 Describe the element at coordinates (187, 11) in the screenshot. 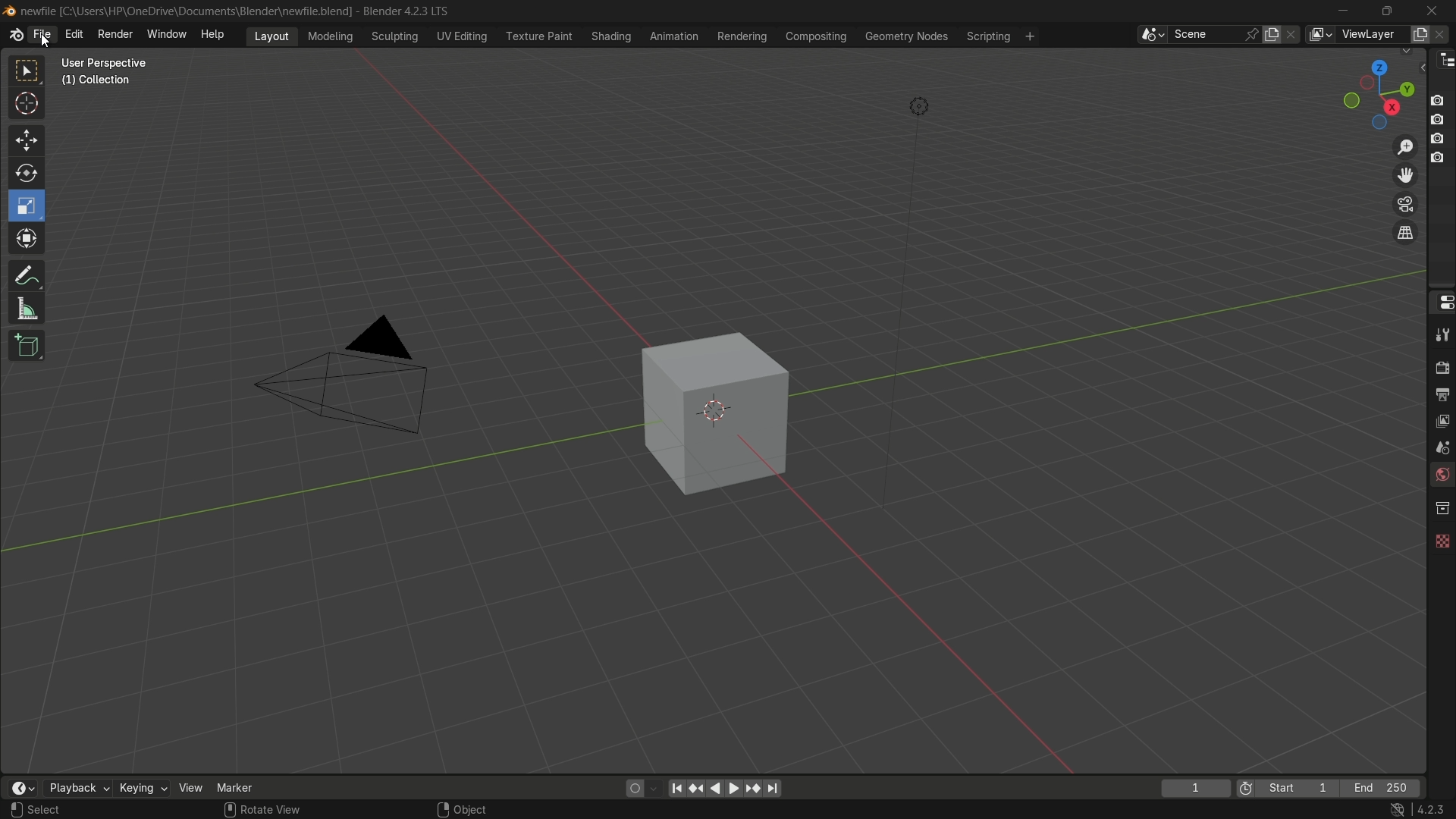

I see `C:\User:\\HP\Onedrive\Documents\Blender` at that location.